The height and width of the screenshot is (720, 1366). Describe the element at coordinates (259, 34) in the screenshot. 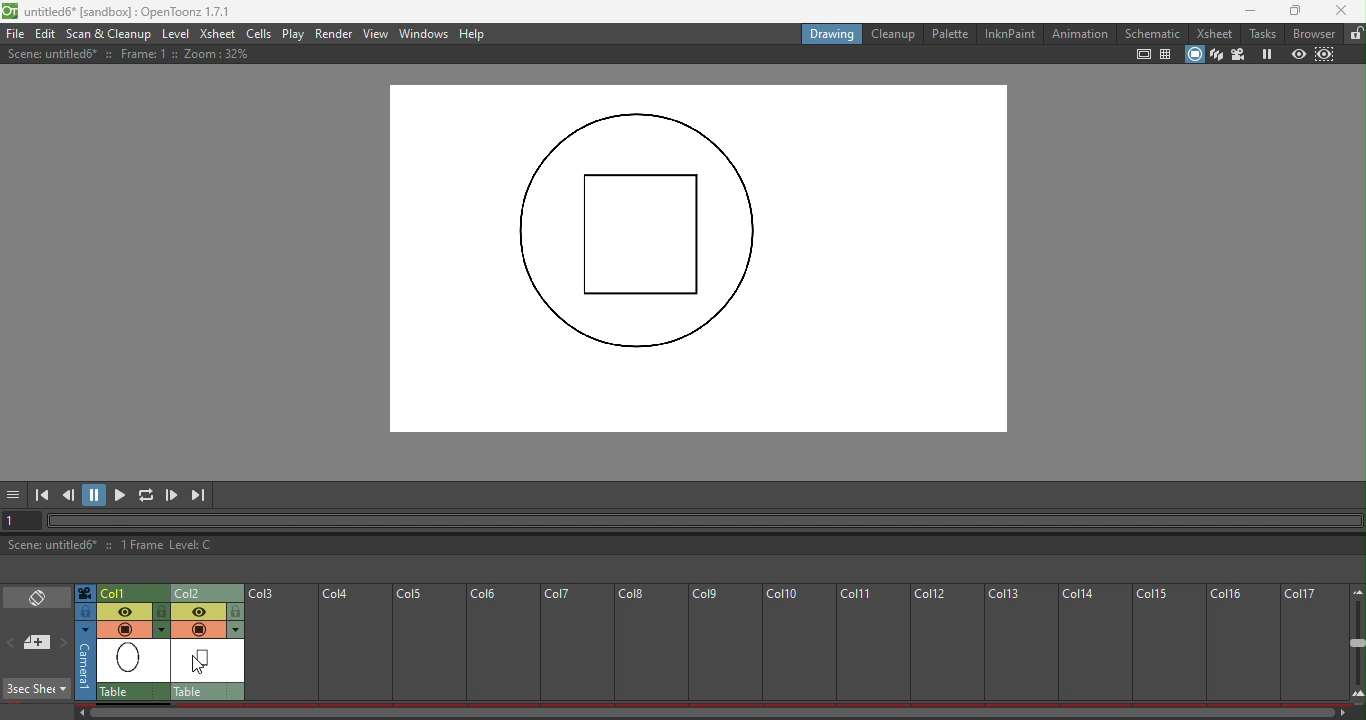

I see `Cells` at that location.